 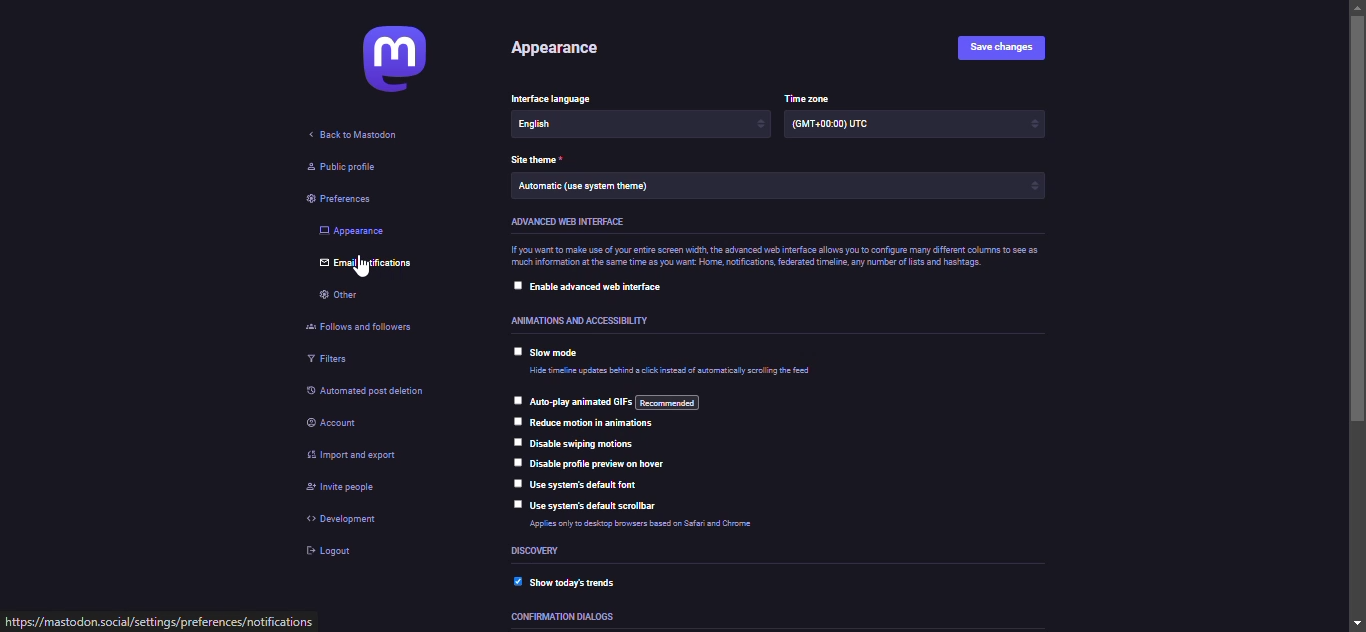 I want to click on save changes, so click(x=1001, y=48).